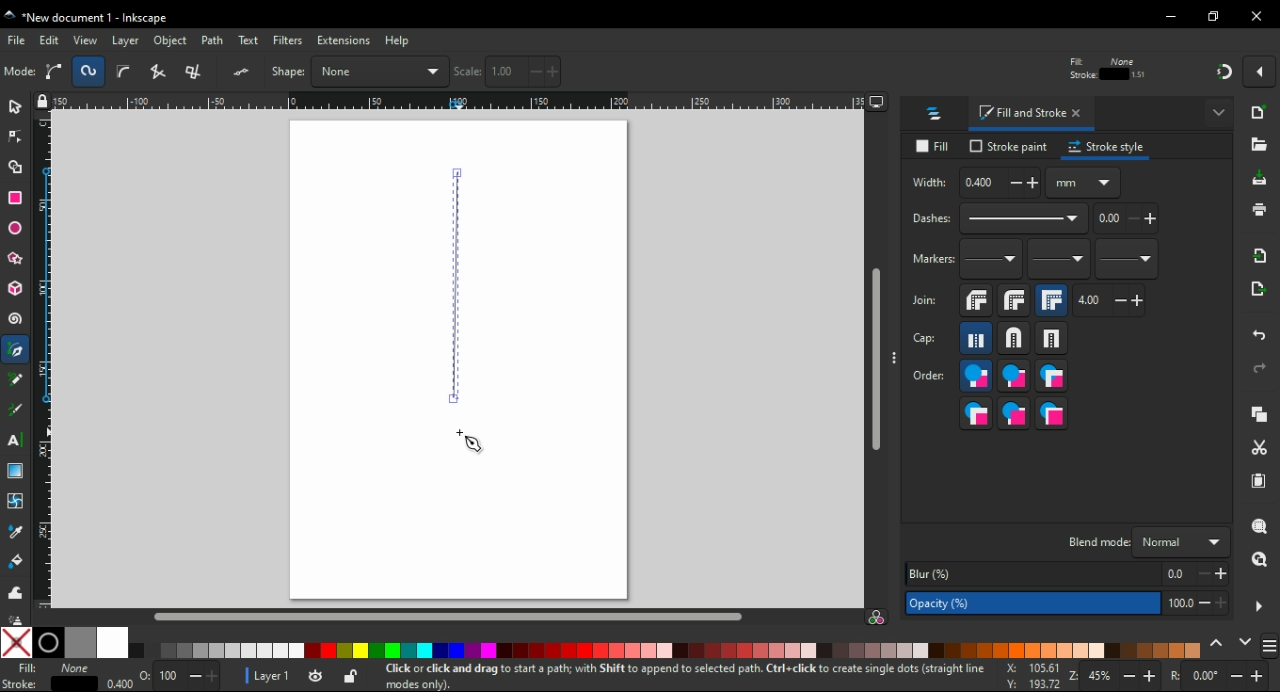 The image size is (1280, 692). I want to click on import, so click(1261, 255).